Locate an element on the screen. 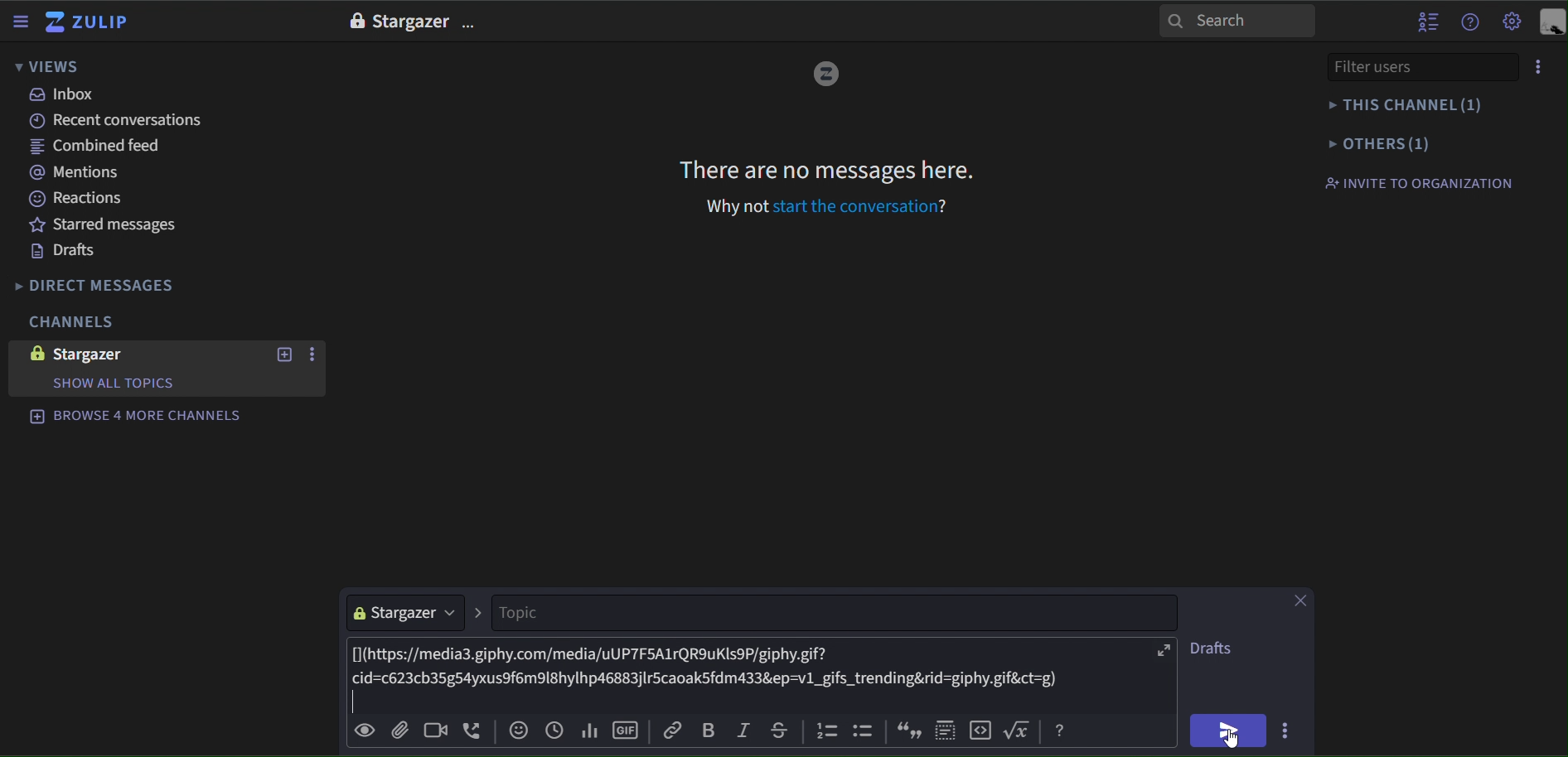 This screenshot has height=757, width=1568. combined feed is located at coordinates (102, 149).